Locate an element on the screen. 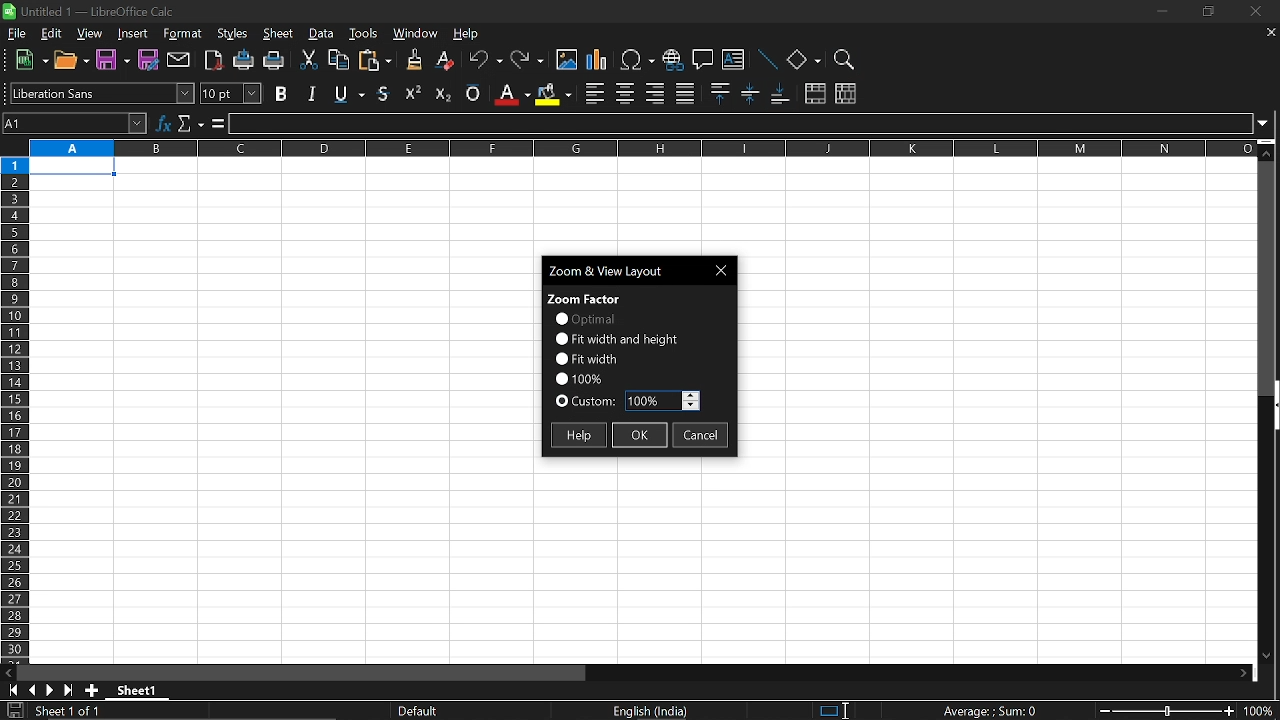  fit width is located at coordinates (586, 358).